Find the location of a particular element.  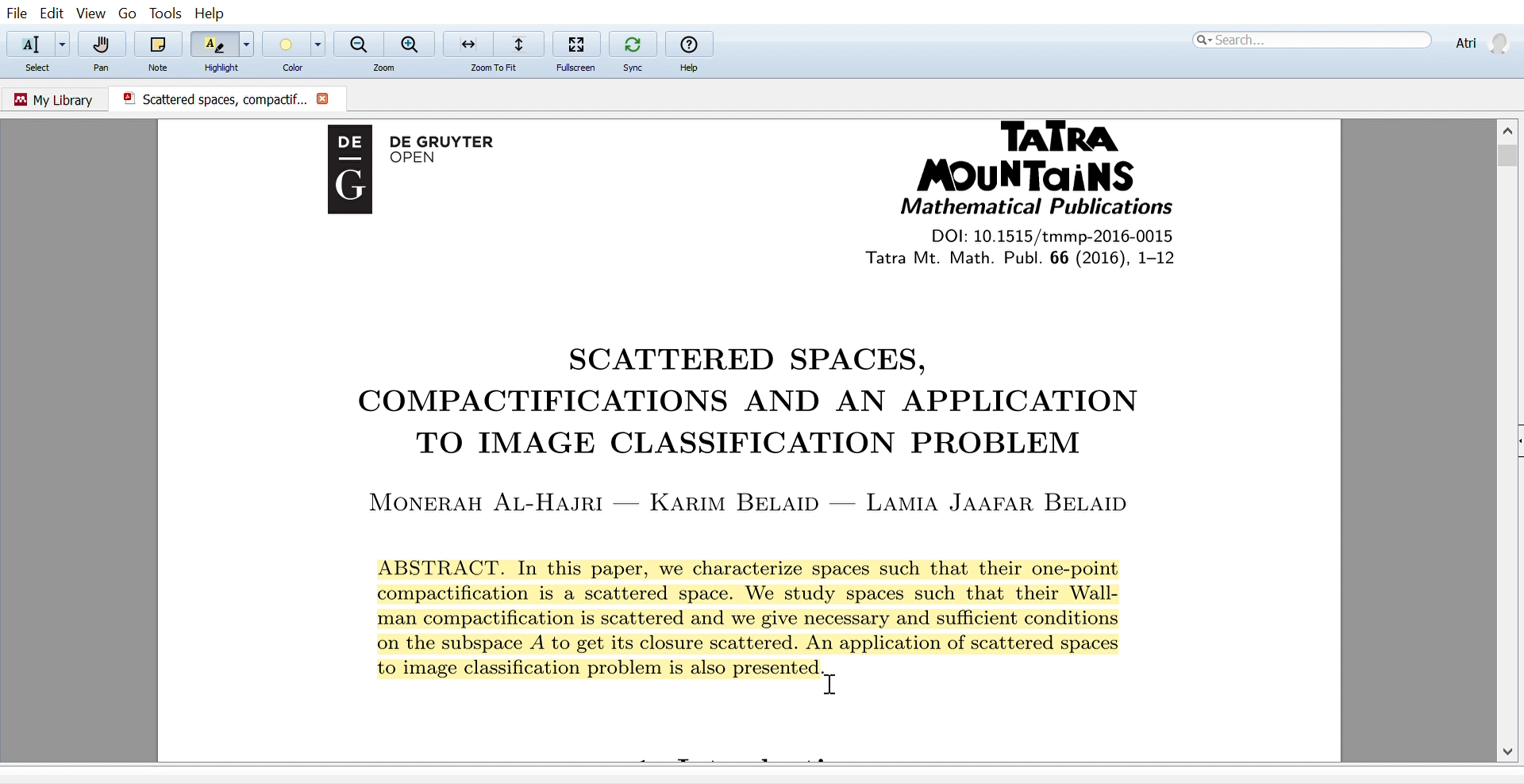

SCATTERED SPACES, is located at coordinates (749, 359).